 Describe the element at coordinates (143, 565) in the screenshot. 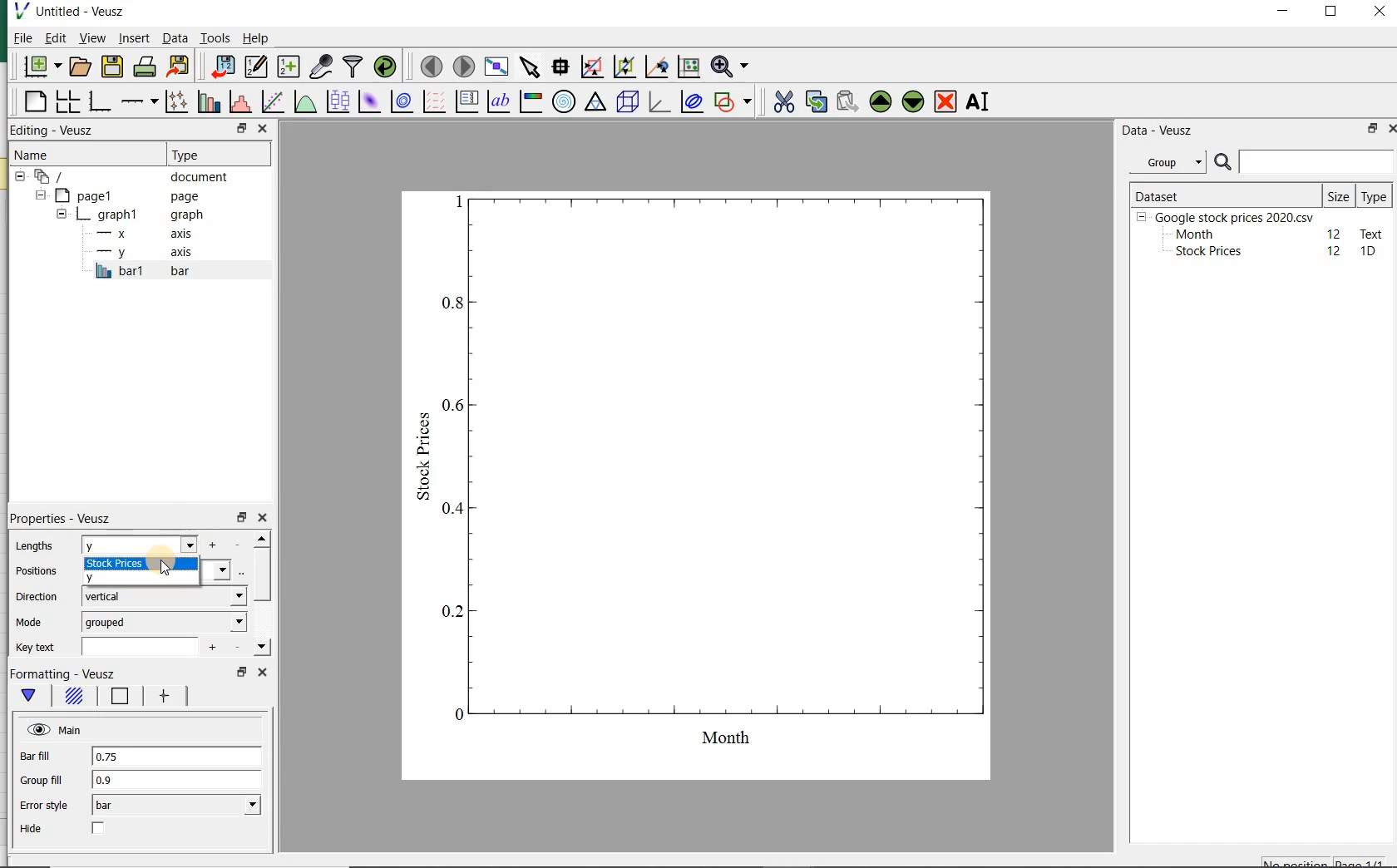

I see `stock prices` at that location.